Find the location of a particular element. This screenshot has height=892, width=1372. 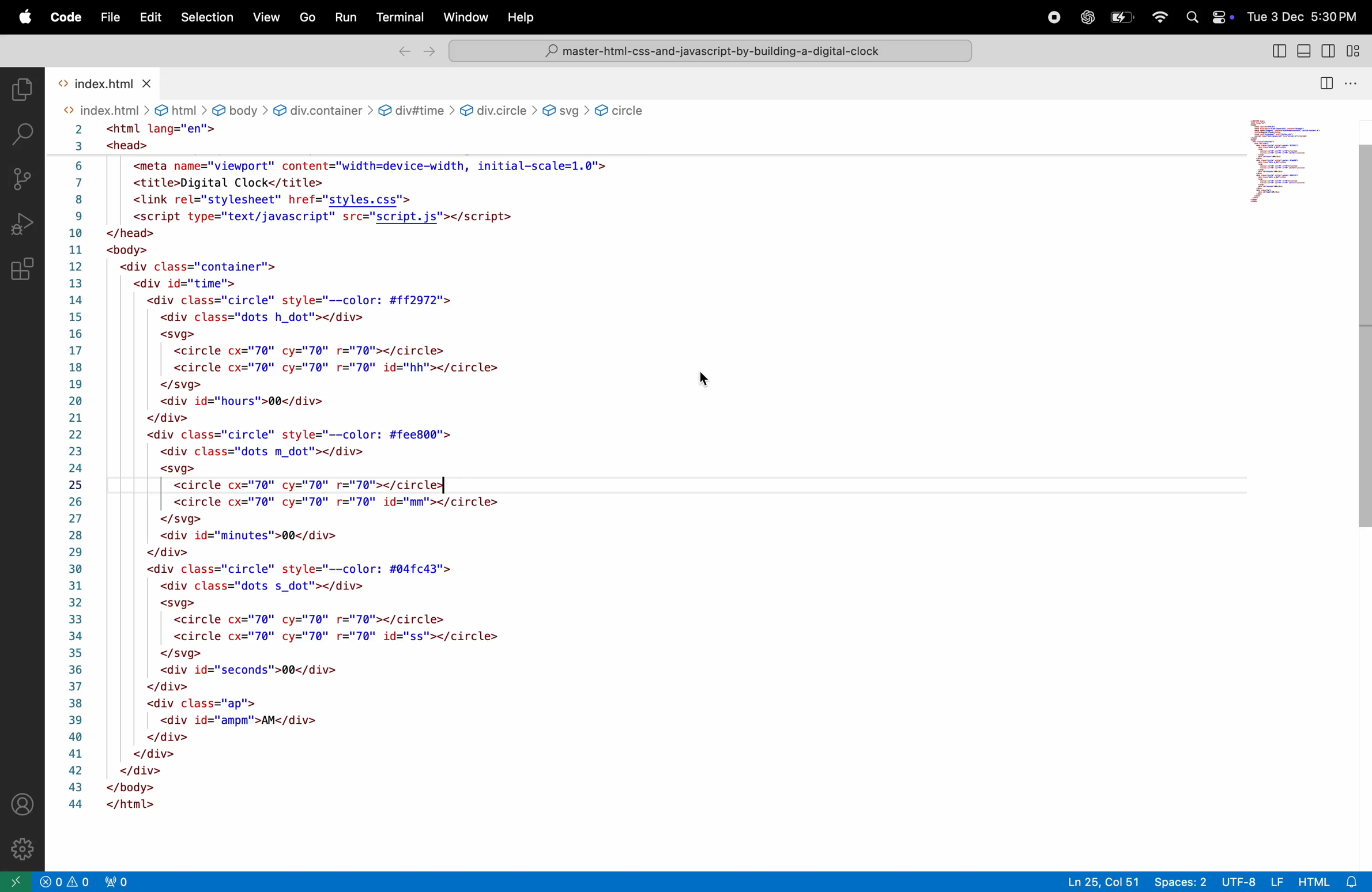

forward is located at coordinates (428, 51).